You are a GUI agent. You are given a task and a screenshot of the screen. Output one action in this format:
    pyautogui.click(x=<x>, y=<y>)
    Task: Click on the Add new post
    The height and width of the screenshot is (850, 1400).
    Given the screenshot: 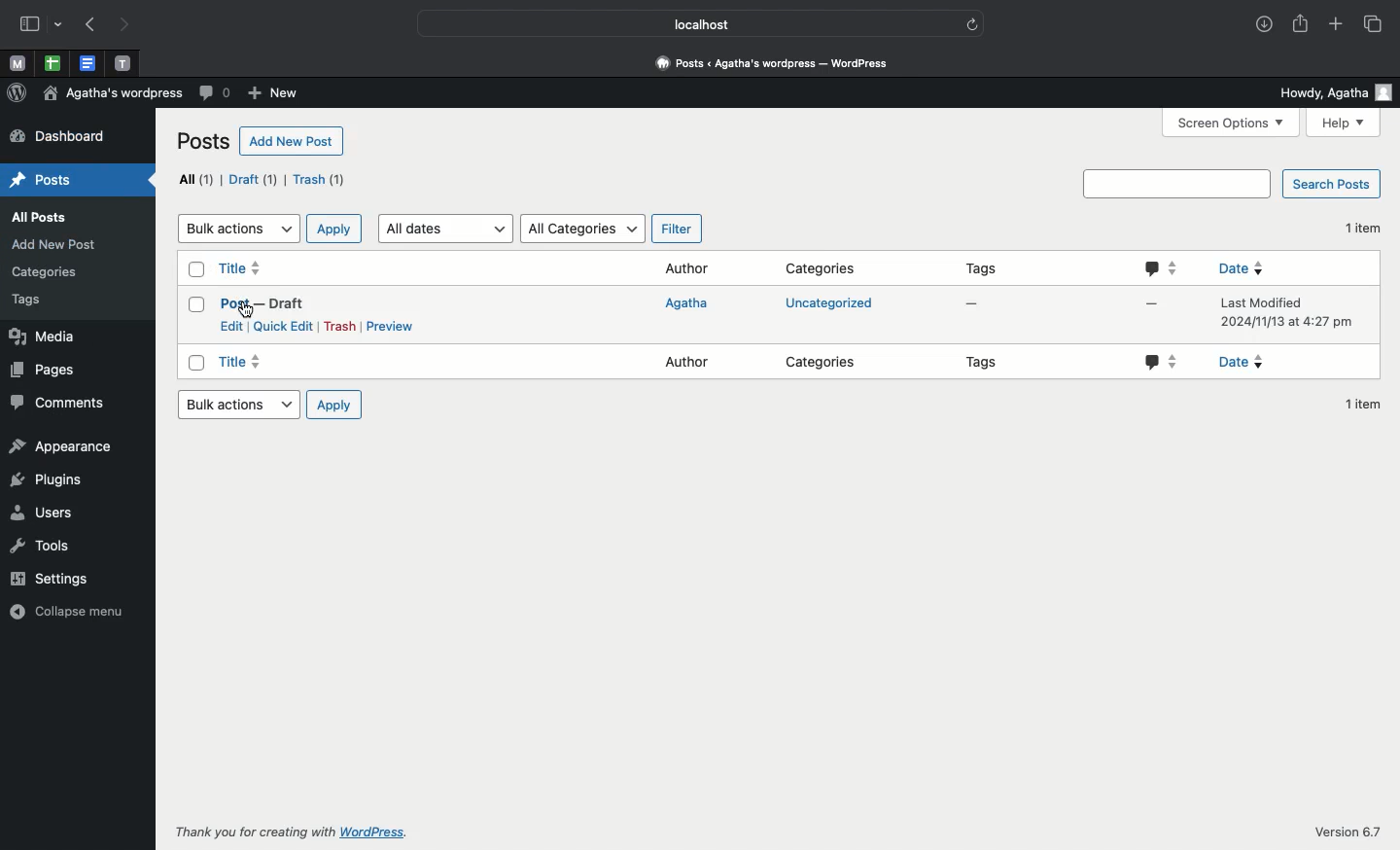 What is the action you would take?
    pyautogui.click(x=292, y=141)
    